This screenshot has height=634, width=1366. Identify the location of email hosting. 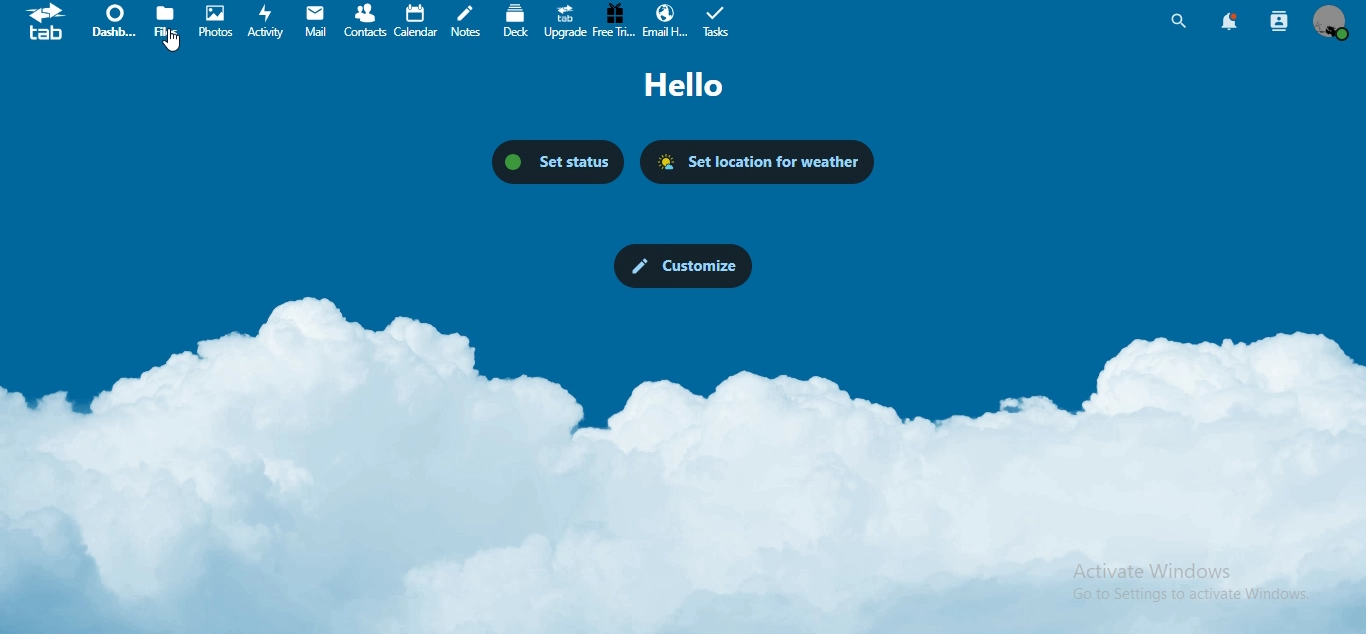
(665, 22).